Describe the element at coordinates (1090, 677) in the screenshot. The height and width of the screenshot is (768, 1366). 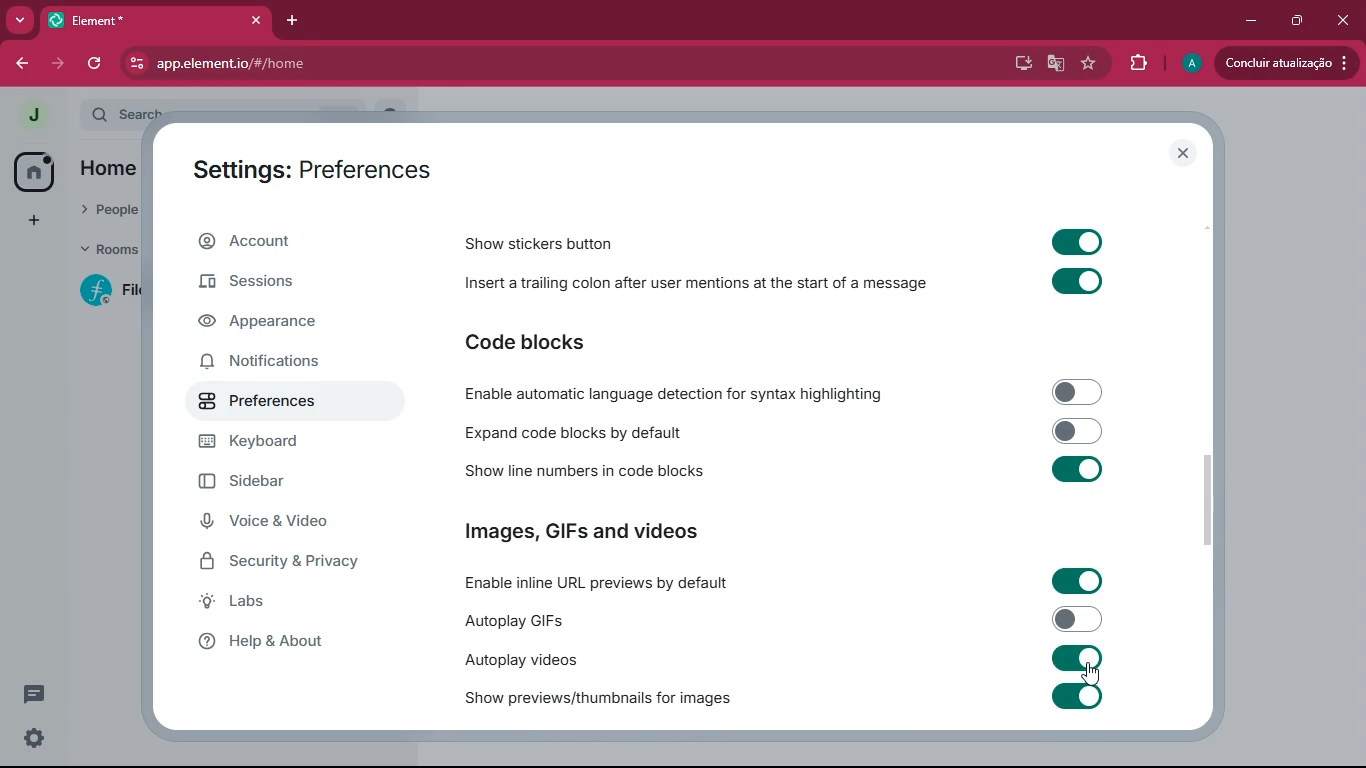
I see `cursor` at that location.